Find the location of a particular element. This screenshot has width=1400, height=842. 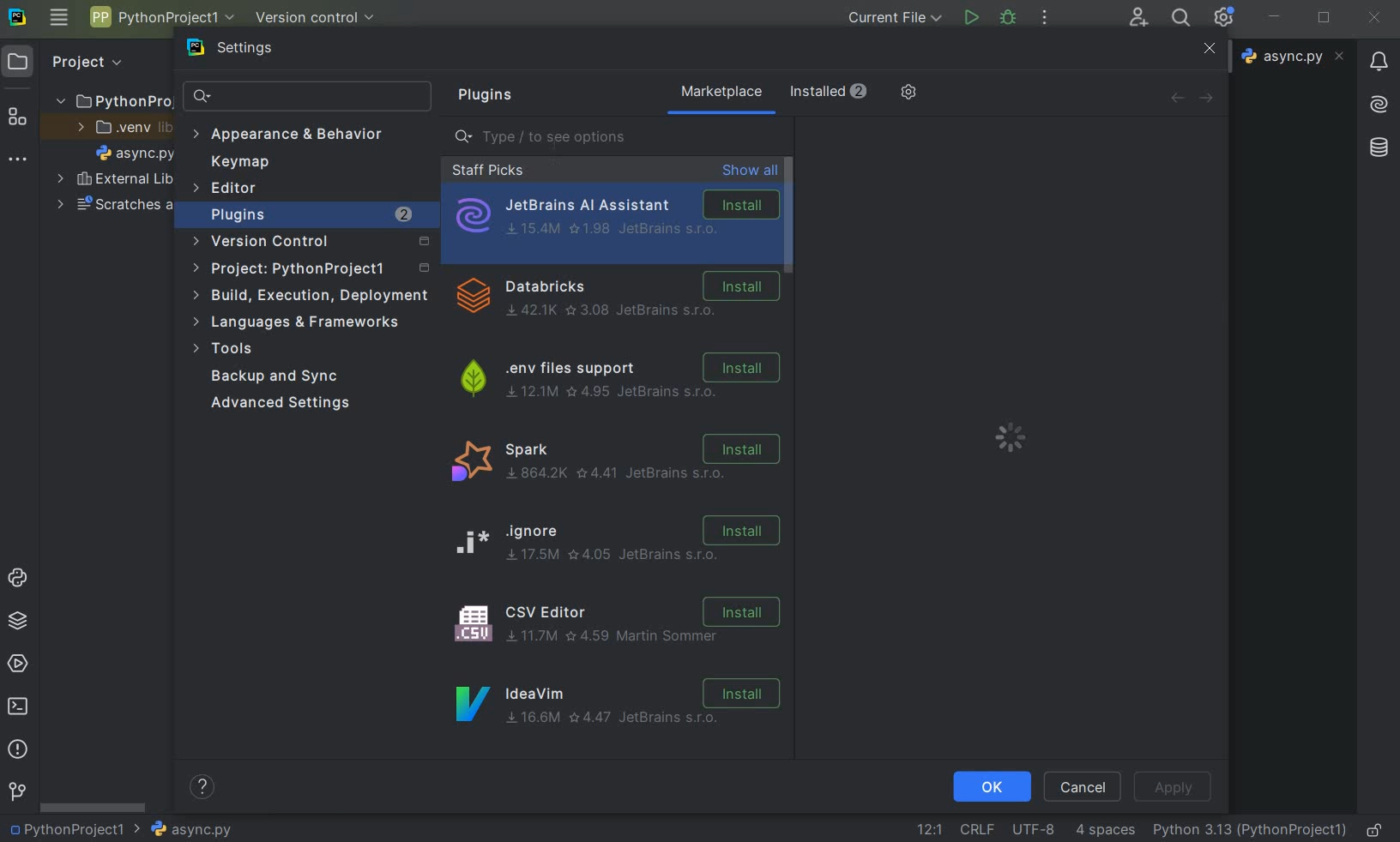

cancel is located at coordinates (1083, 788).